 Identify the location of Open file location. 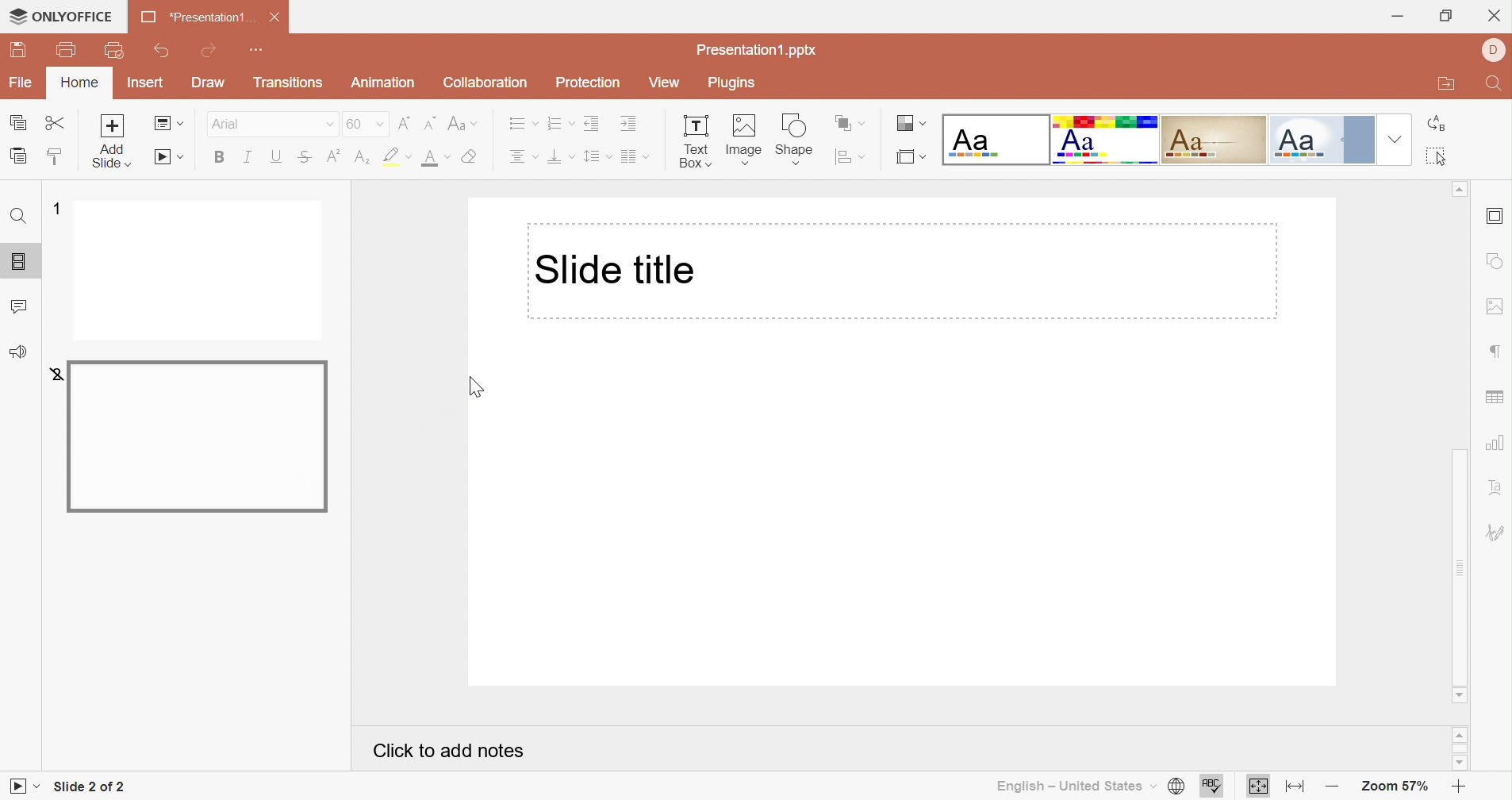
(1438, 86).